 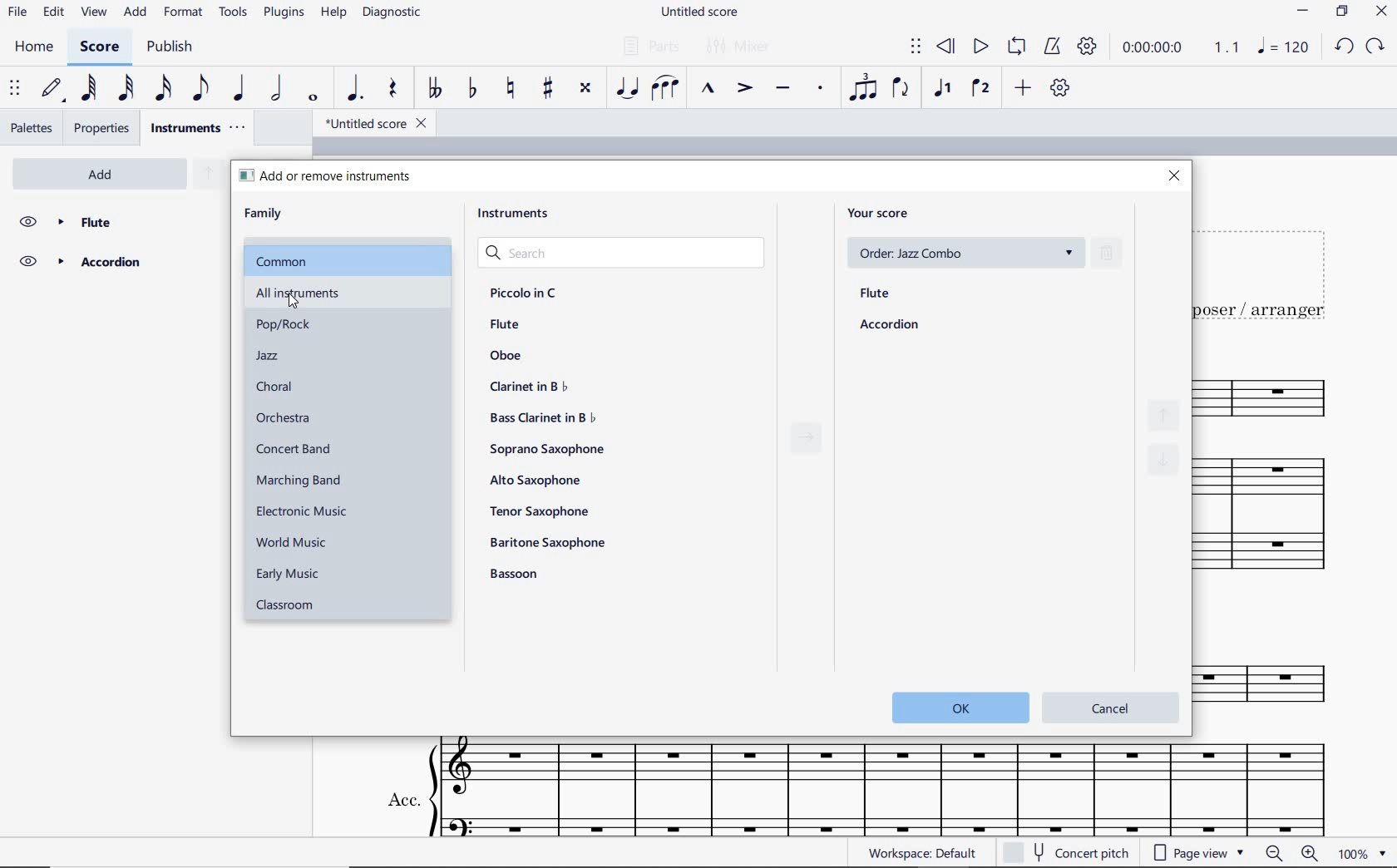 What do you see at coordinates (198, 90) in the screenshot?
I see `eighth note` at bounding box center [198, 90].